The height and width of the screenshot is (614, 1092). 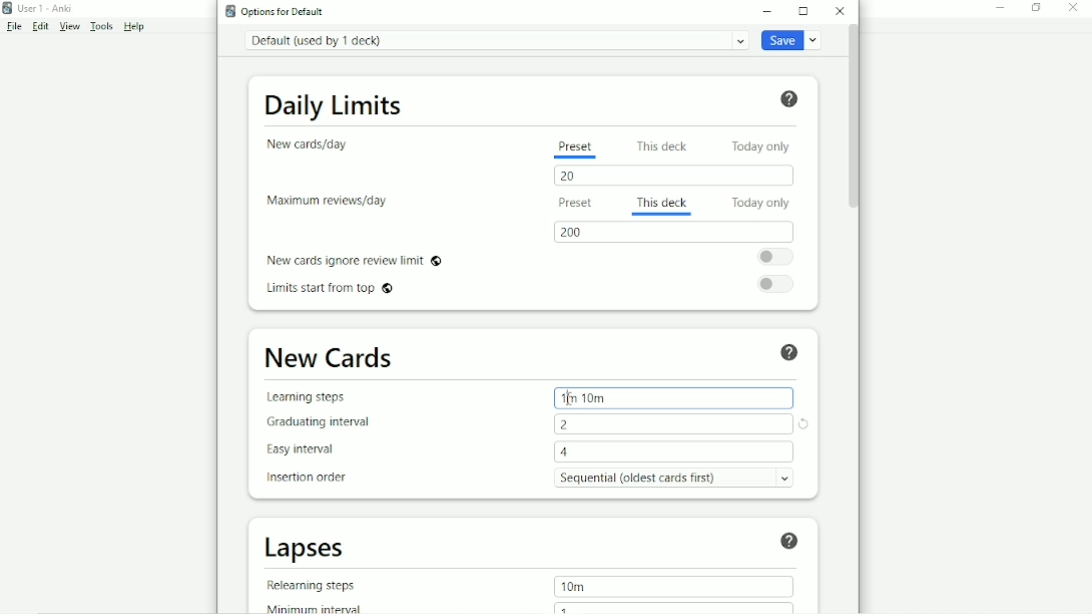 I want to click on Daily Limits, so click(x=334, y=106).